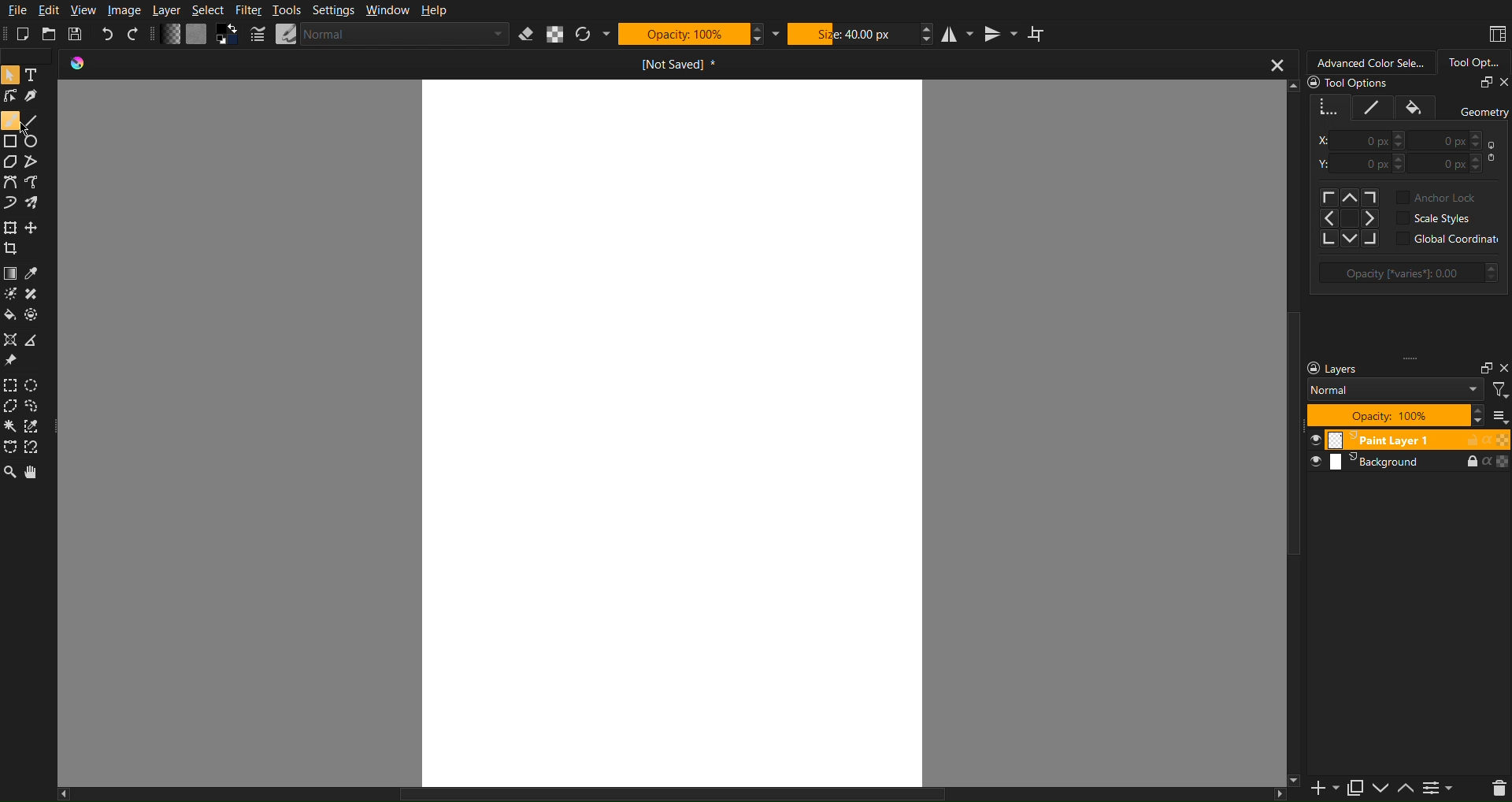 The height and width of the screenshot is (802, 1512). I want to click on Down, so click(1384, 789).